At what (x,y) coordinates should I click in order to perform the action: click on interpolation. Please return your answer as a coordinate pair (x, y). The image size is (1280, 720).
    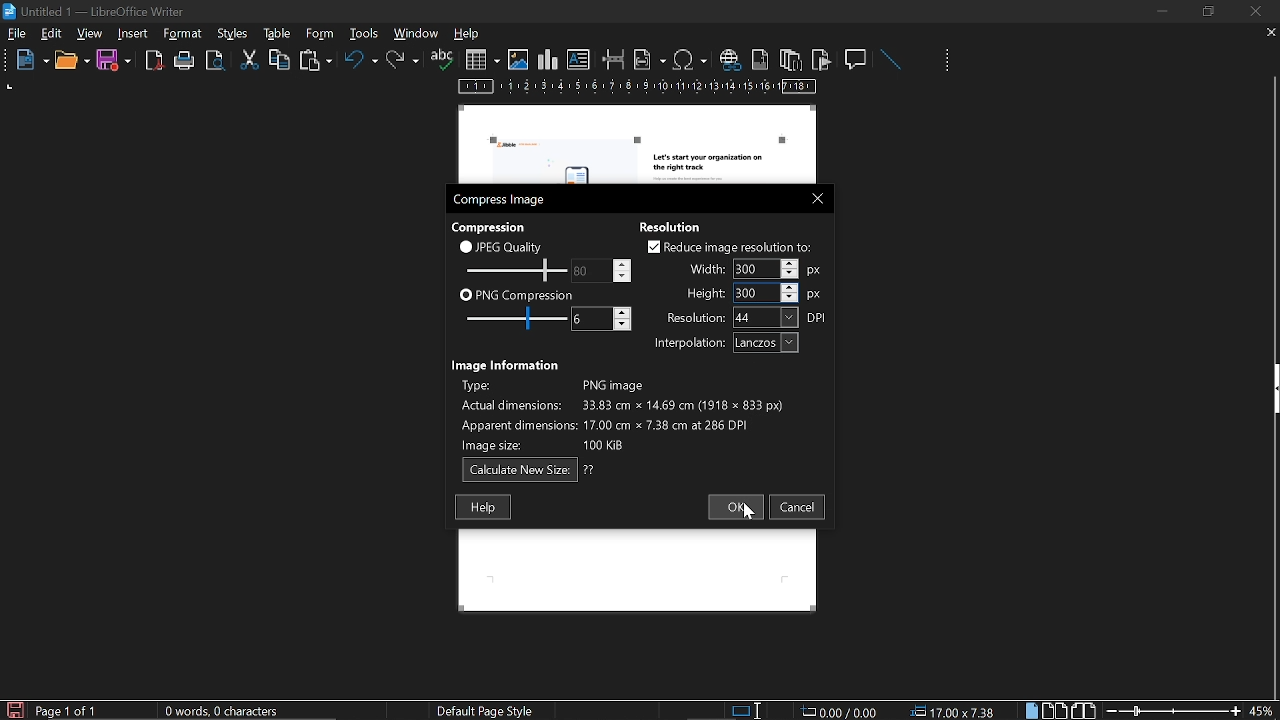
    Looking at the image, I should click on (722, 343).